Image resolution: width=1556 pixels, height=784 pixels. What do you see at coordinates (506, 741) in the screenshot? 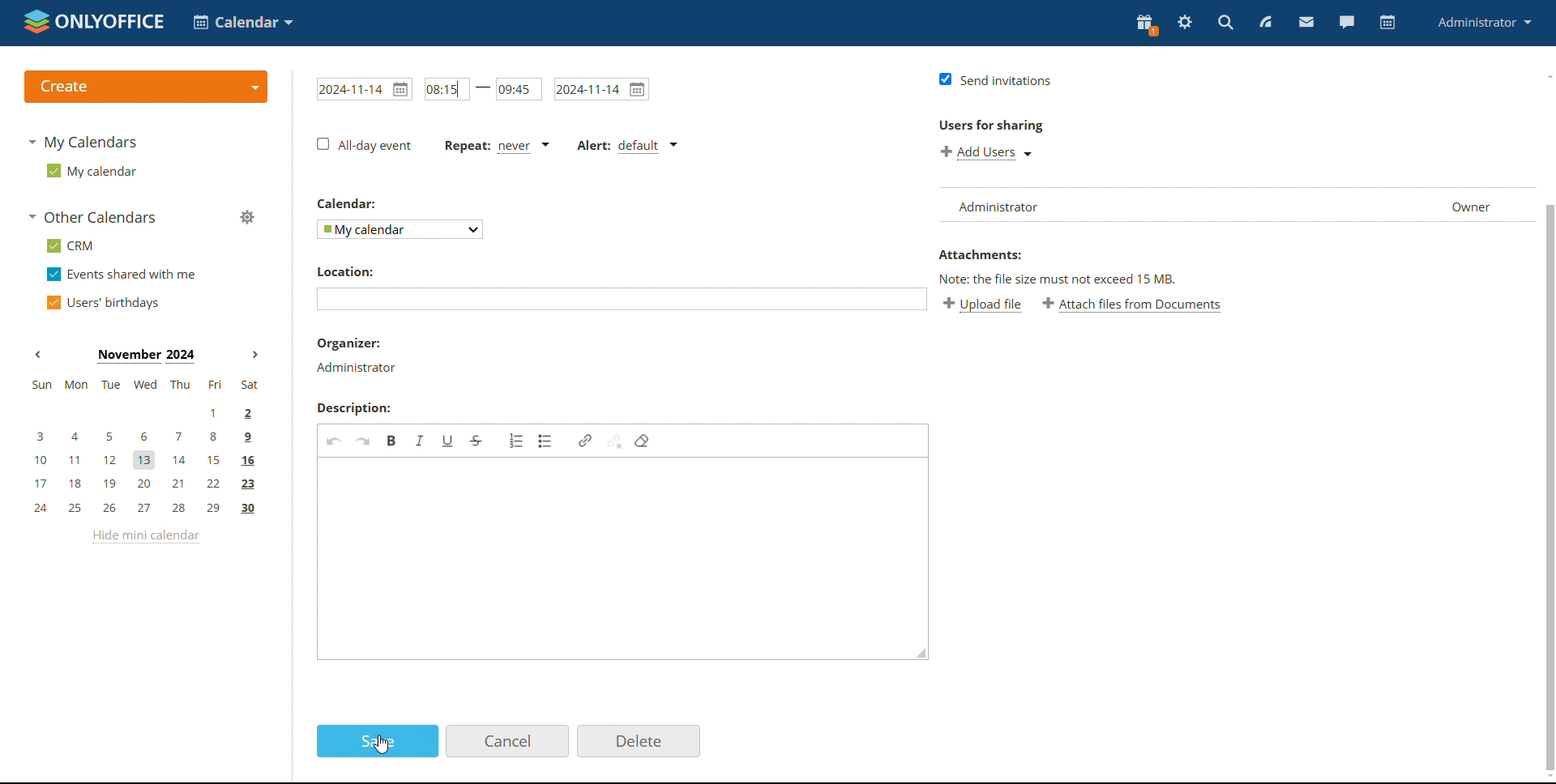
I see `cancel` at bounding box center [506, 741].